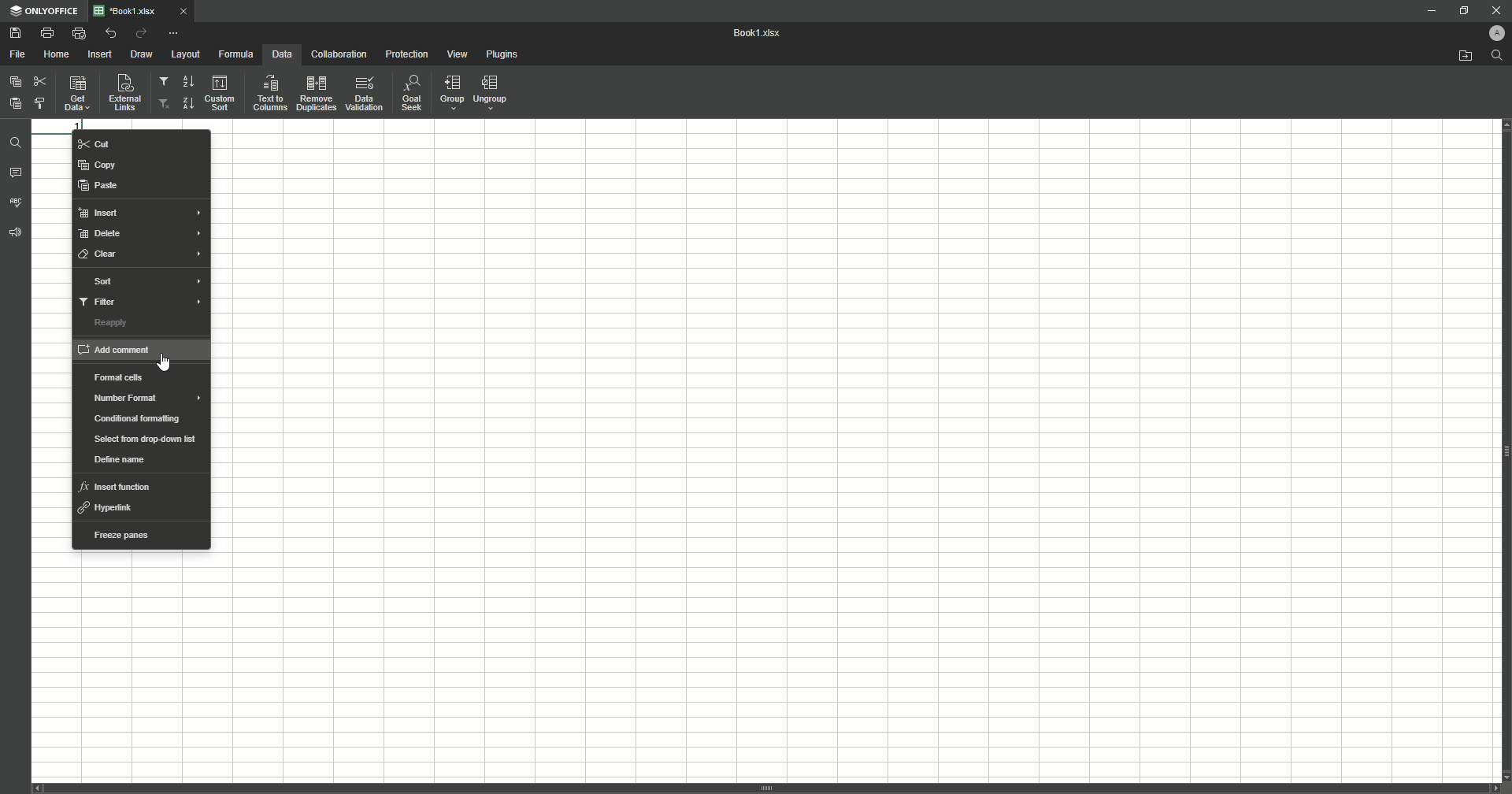 The height and width of the screenshot is (794, 1512). I want to click on Feedback, so click(17, 237).